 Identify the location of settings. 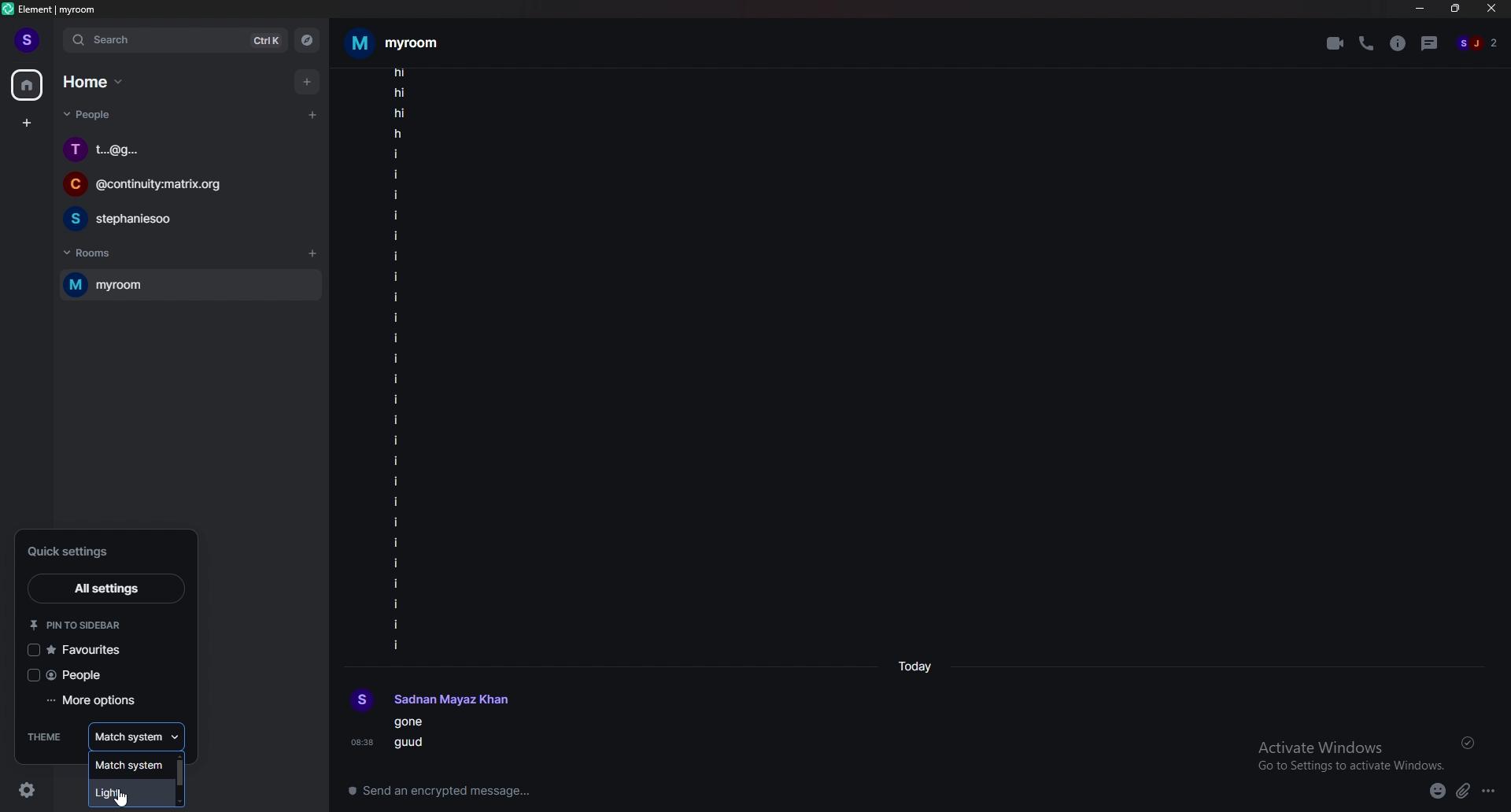
(24, 789).